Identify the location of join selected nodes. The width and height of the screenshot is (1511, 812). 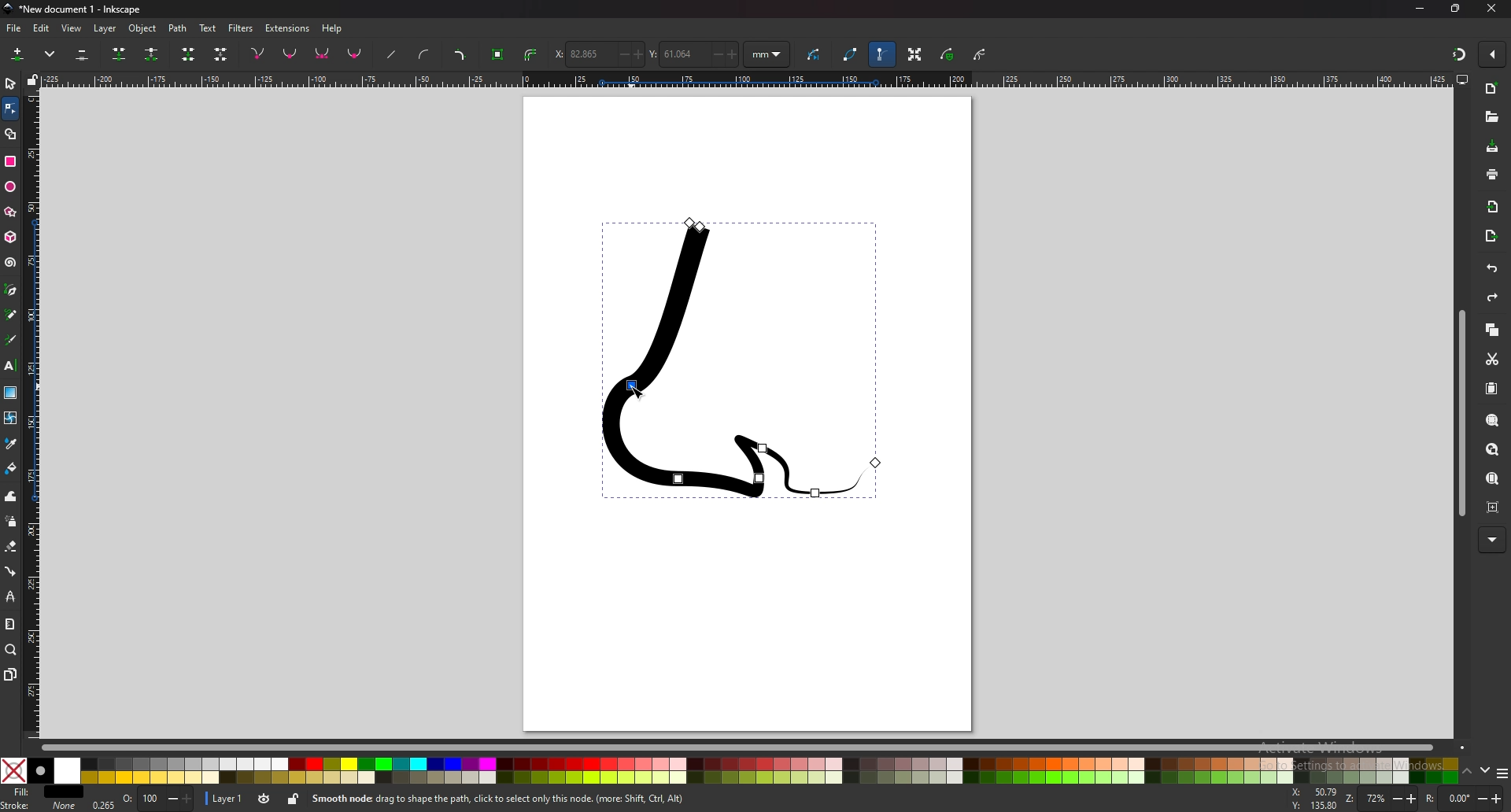
(120, 53).